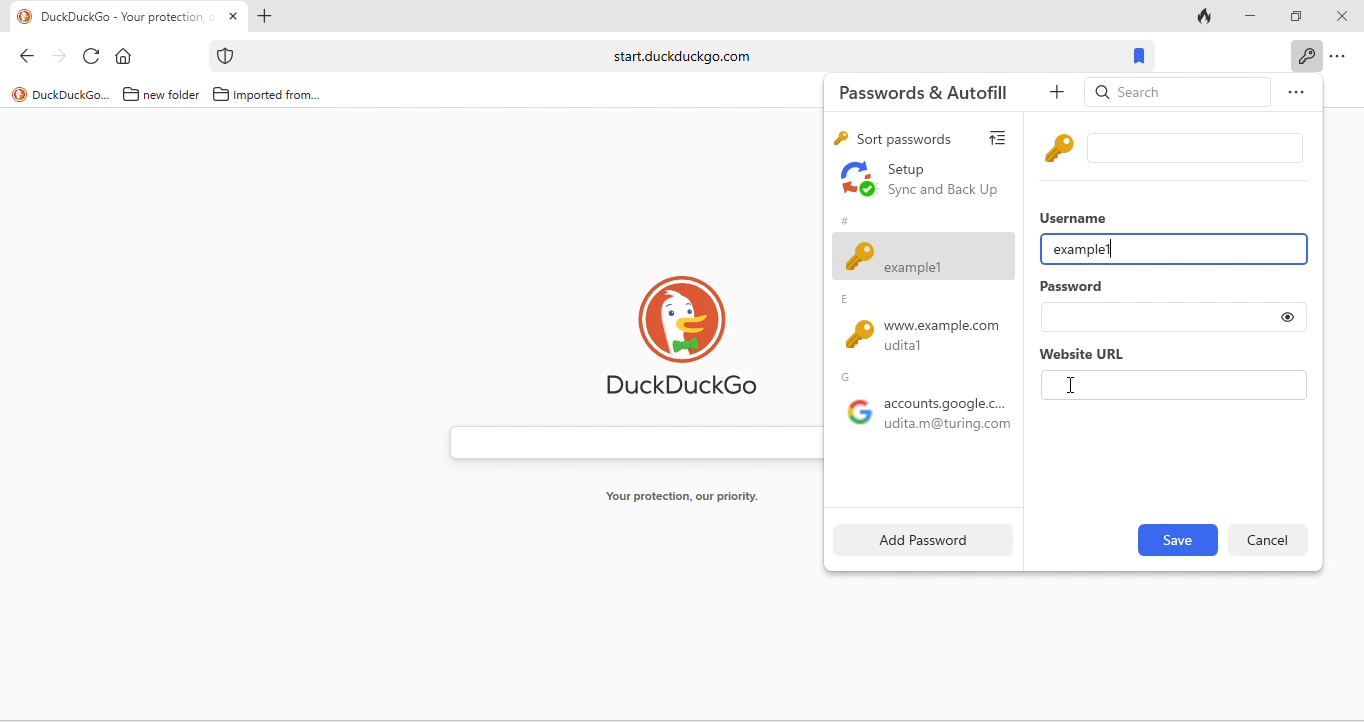 This screenshot has width=1364, height=722. What do you see at coordinates (1292, 95) in the screenshot?
I see `option` at bounding box center [1292, 95].